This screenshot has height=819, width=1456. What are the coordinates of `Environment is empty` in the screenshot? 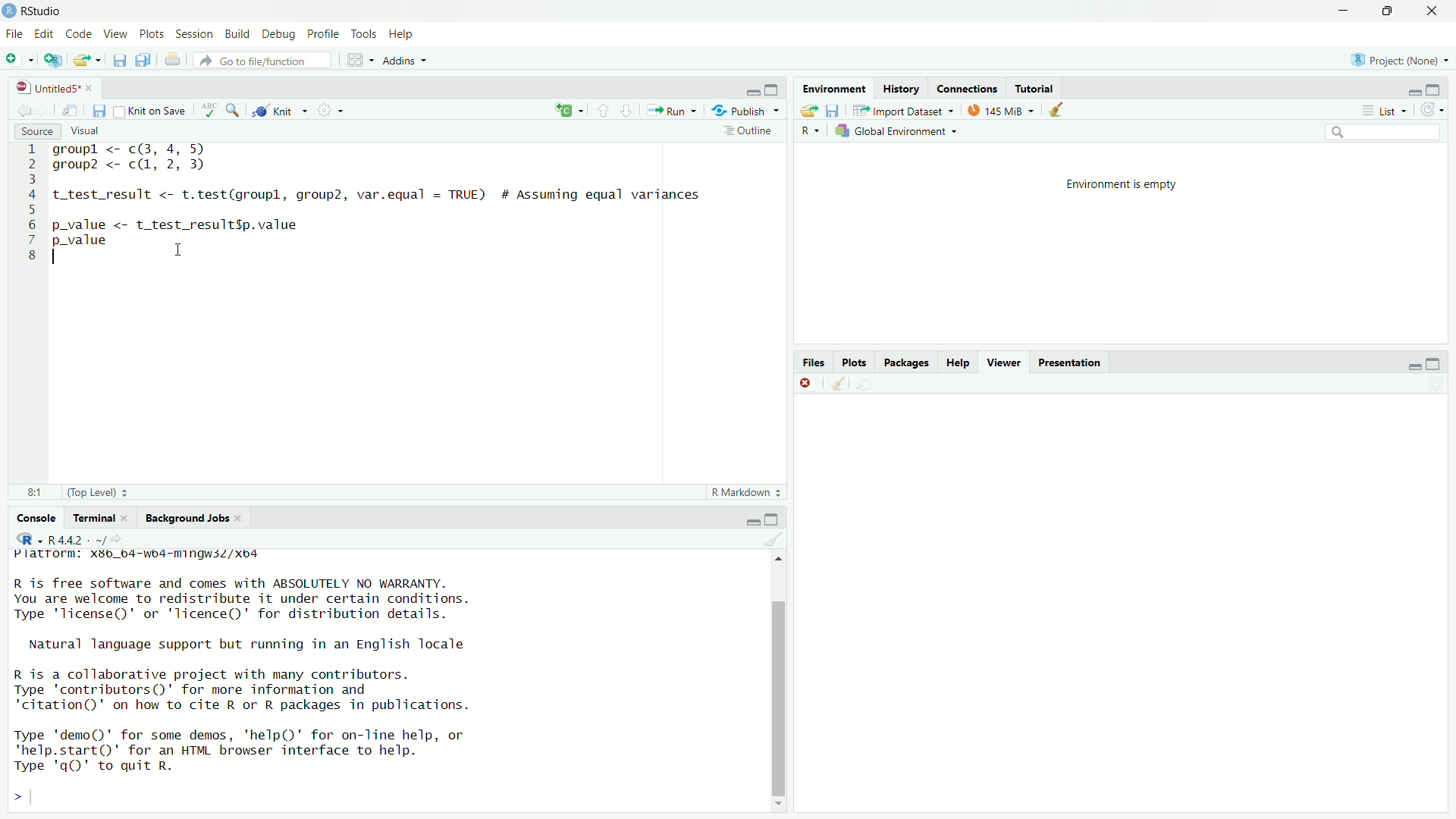 It's located at (1121, 243).